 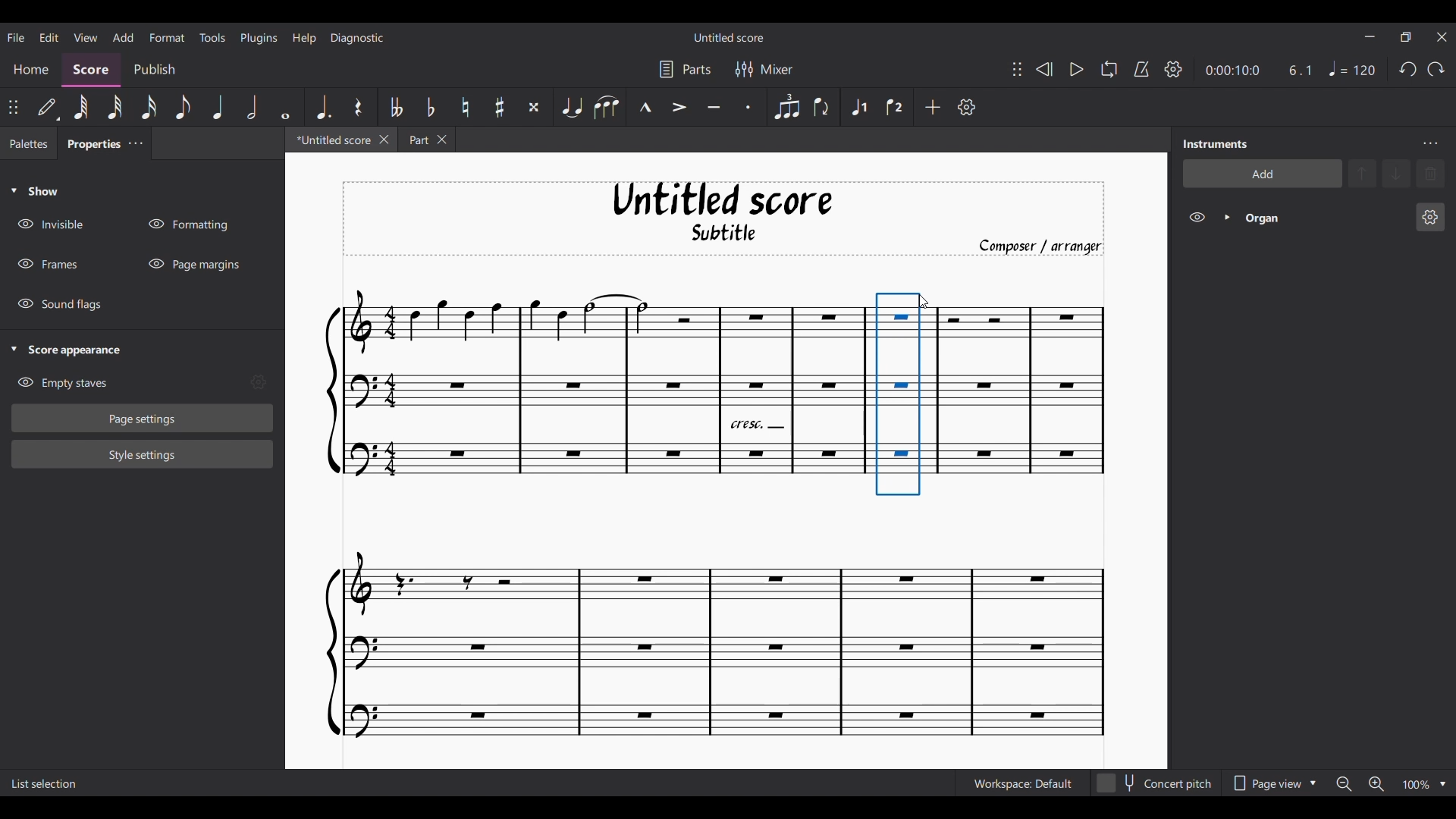 I want to click on Hide Empty staves, so click(x=62, y=383).